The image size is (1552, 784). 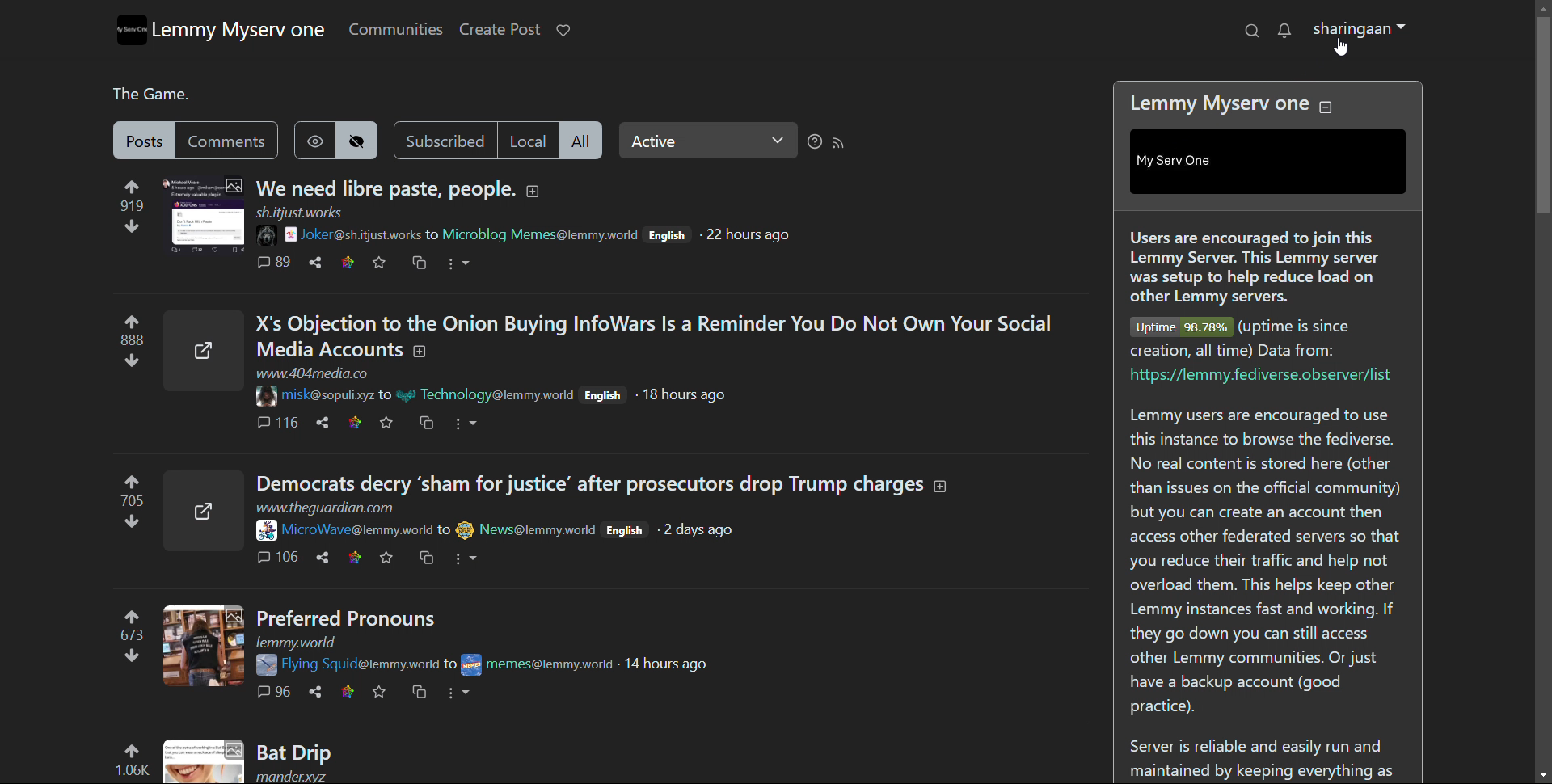 I want to click on notifications, so click(x=1284, y=30).